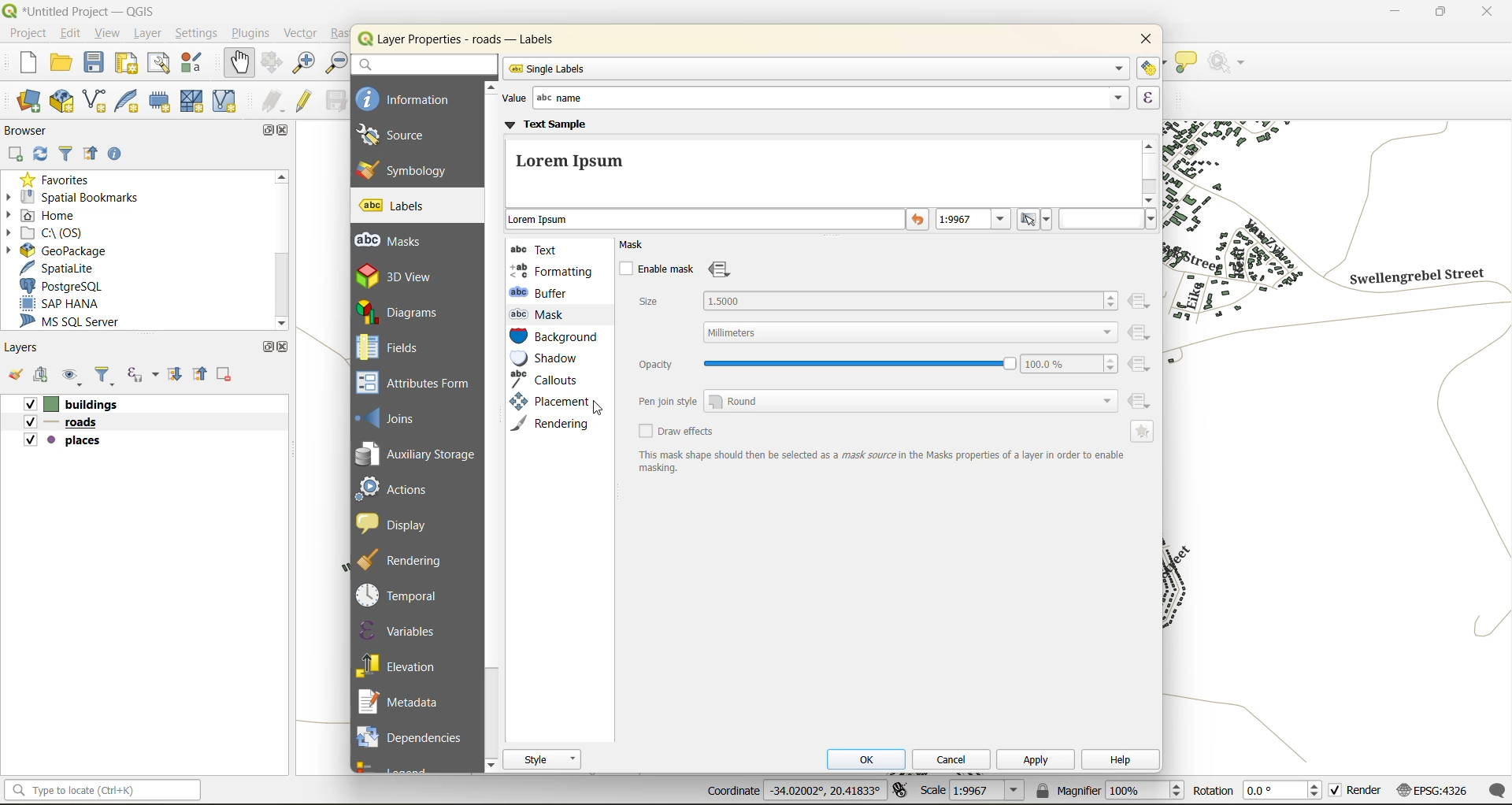  I want to click on fields, so click(389, 347).